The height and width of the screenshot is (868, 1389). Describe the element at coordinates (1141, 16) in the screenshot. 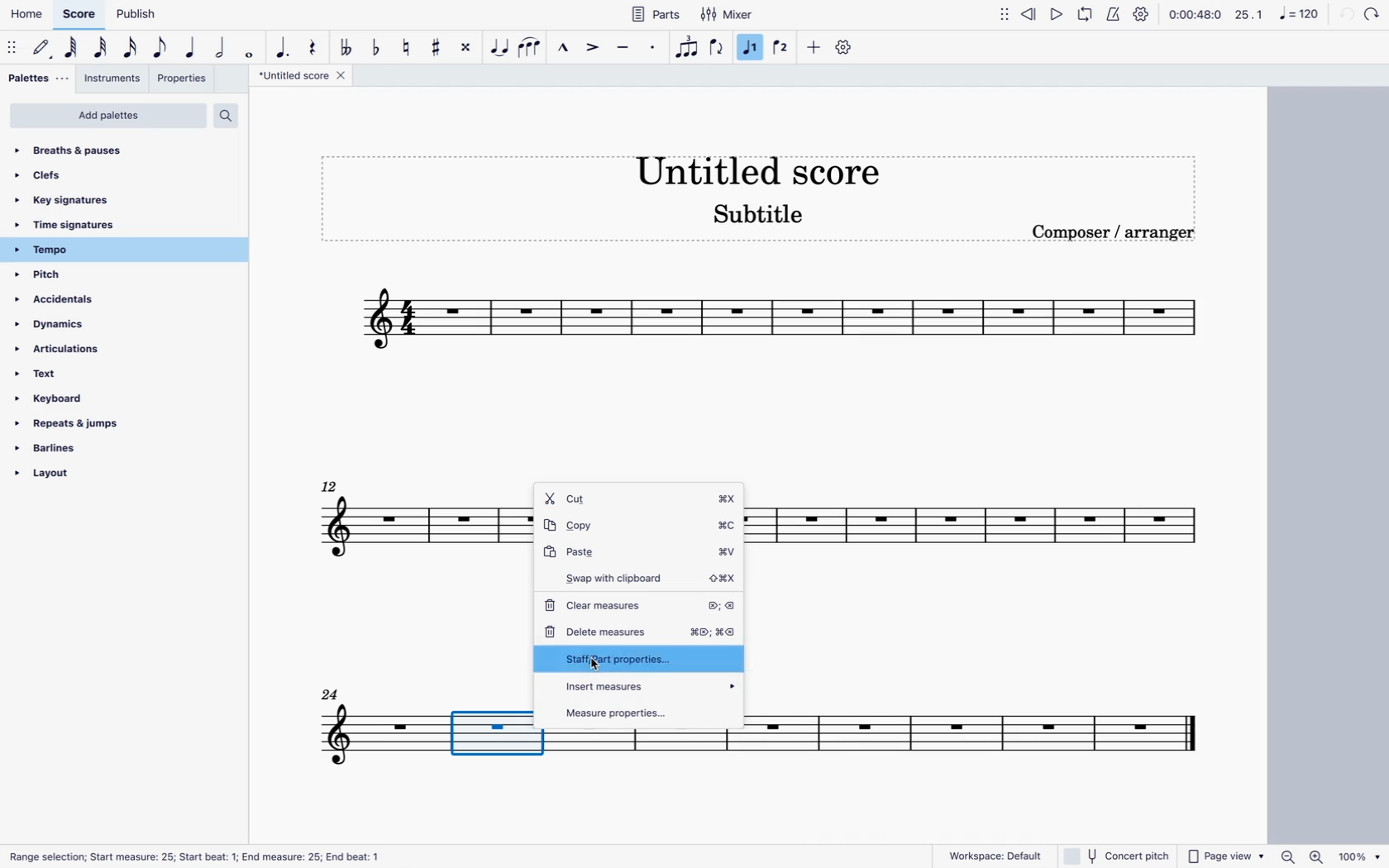

I see `settings` at that location.